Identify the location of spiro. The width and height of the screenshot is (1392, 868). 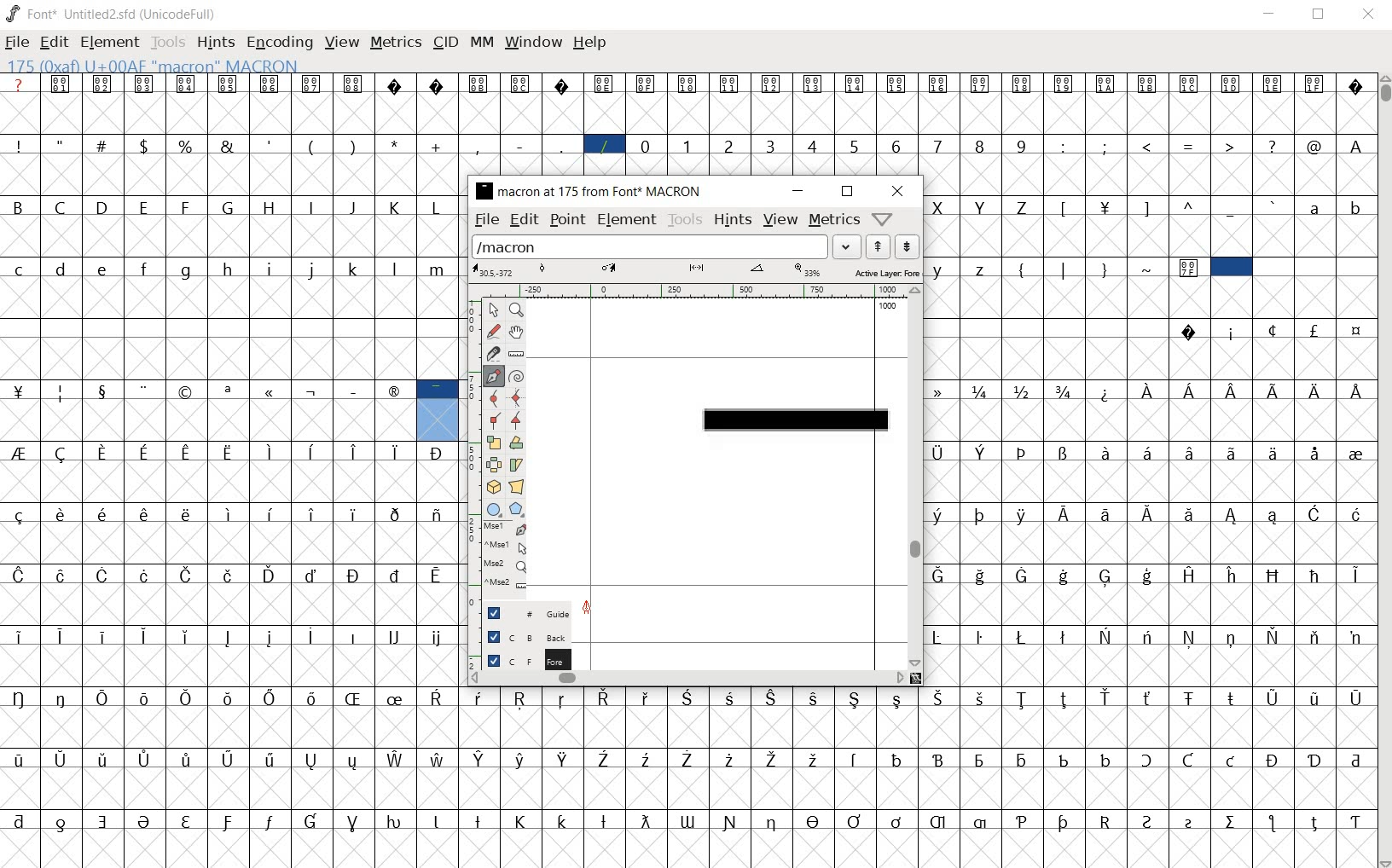
(517, 374).